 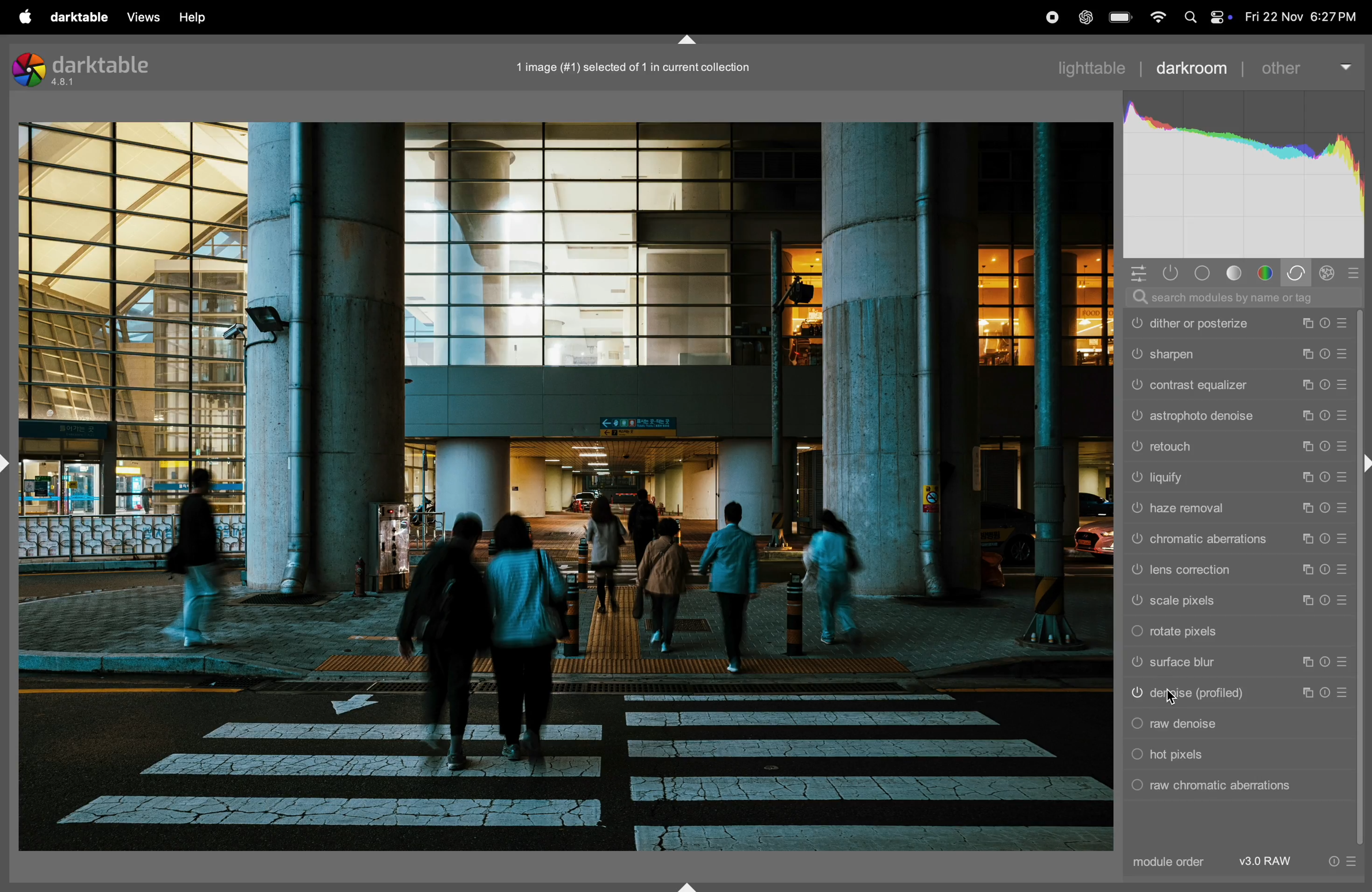 What do you see at coordinates (1303, 66) in the screenshot?
I see `other` at bounding box center [1303, 66].